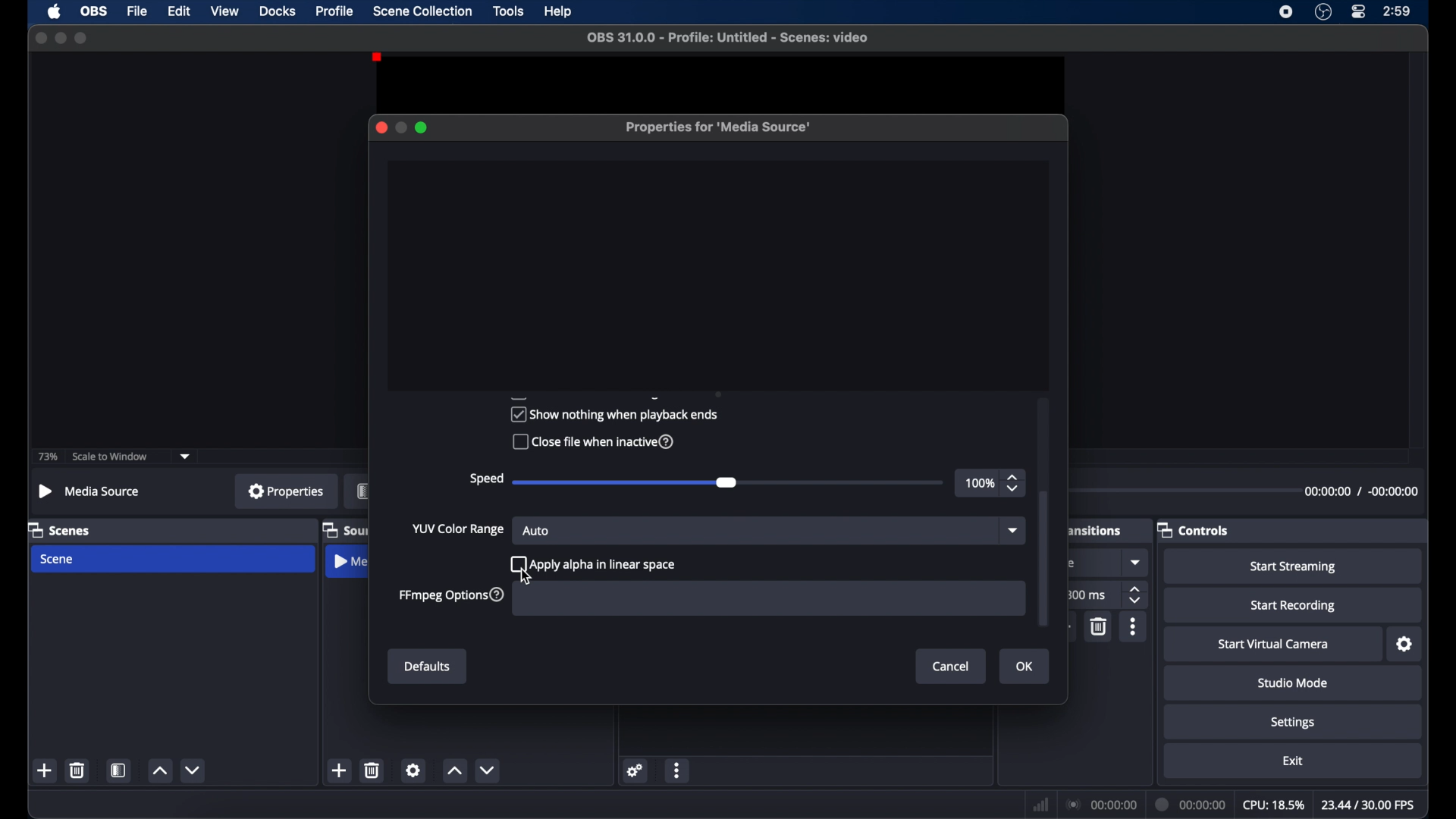 This screenshot has height=819, width=1456. I want to click on network, so click(1041, 805).